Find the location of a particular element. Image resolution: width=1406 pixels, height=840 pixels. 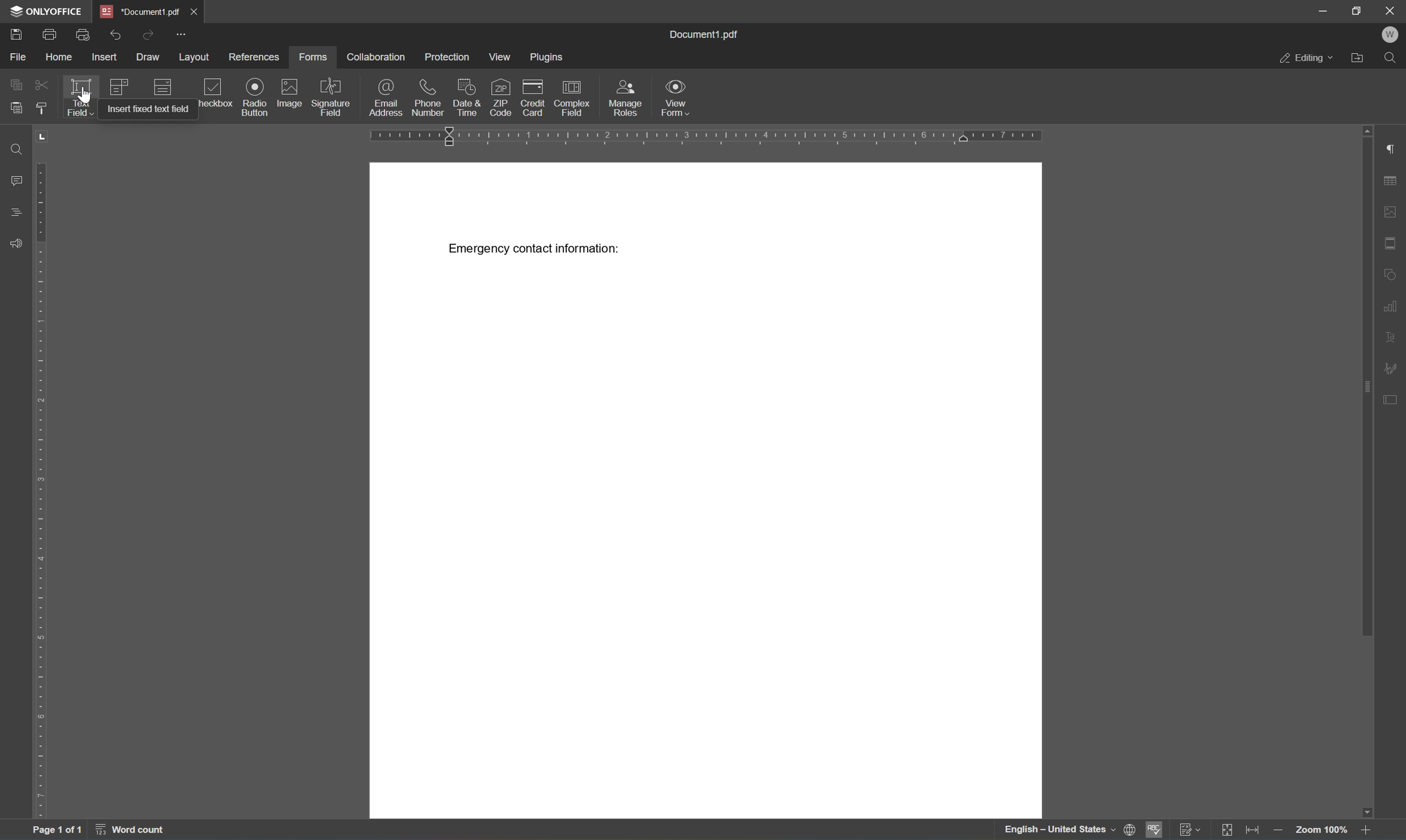

welcome is located at coordinates (1392, 33).